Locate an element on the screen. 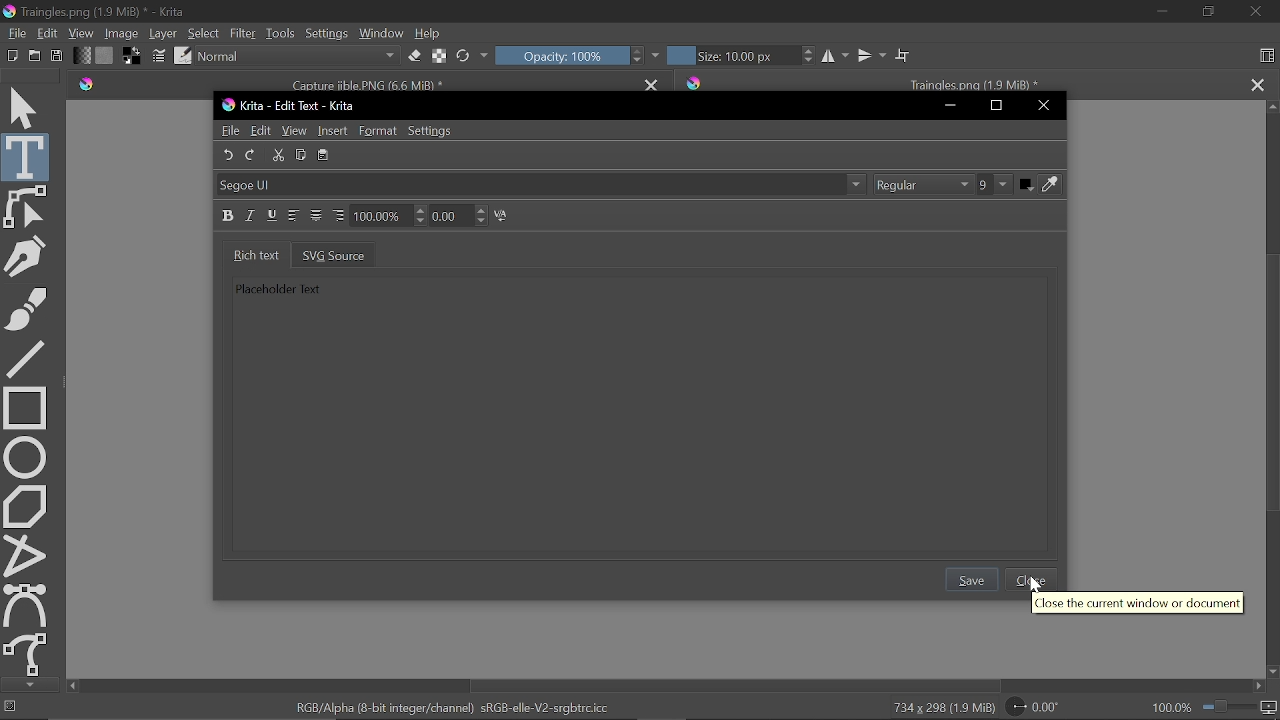  Select is located at coordinates (204, 32).